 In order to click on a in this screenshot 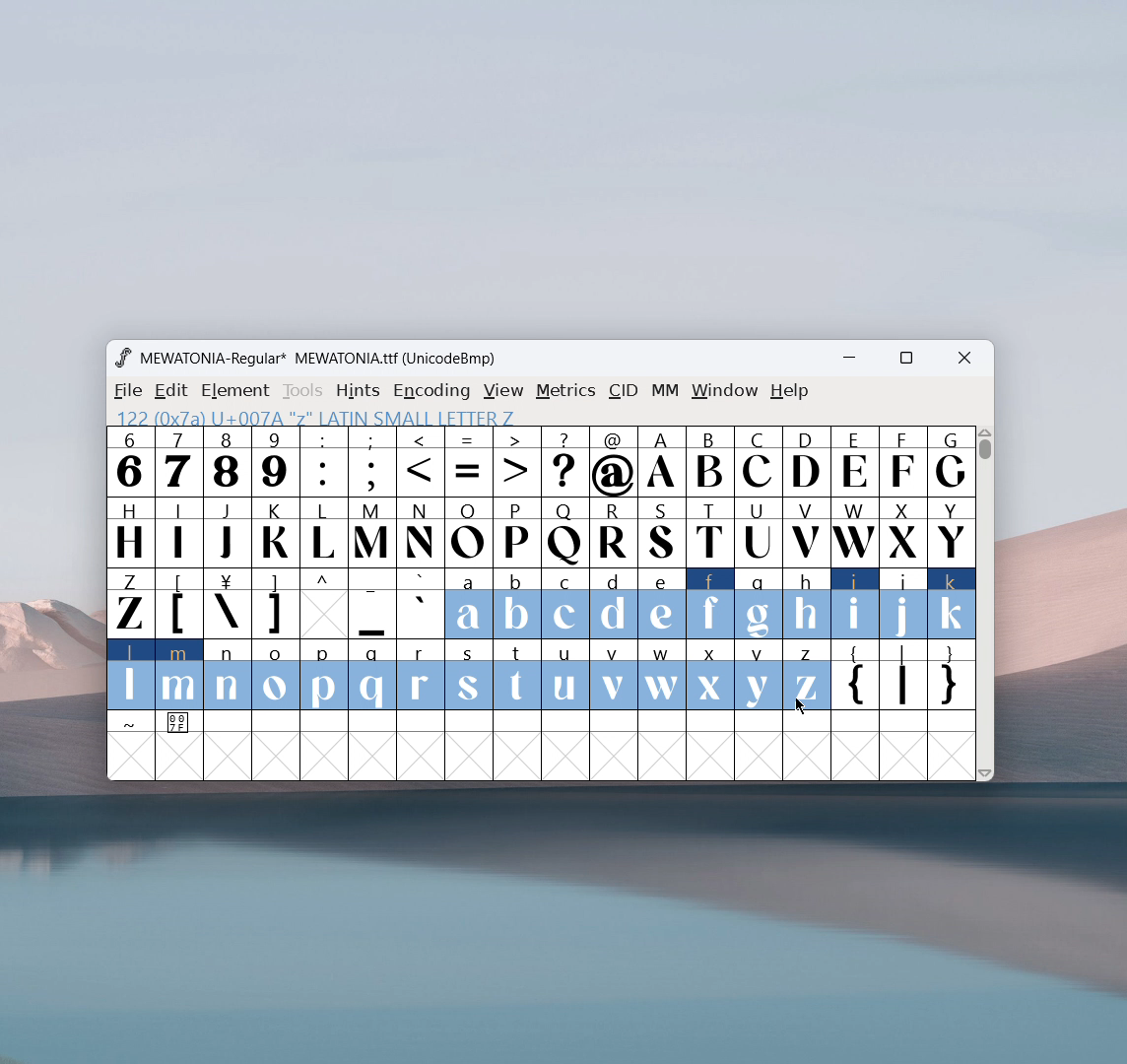, I will do `click(468, 605)`.